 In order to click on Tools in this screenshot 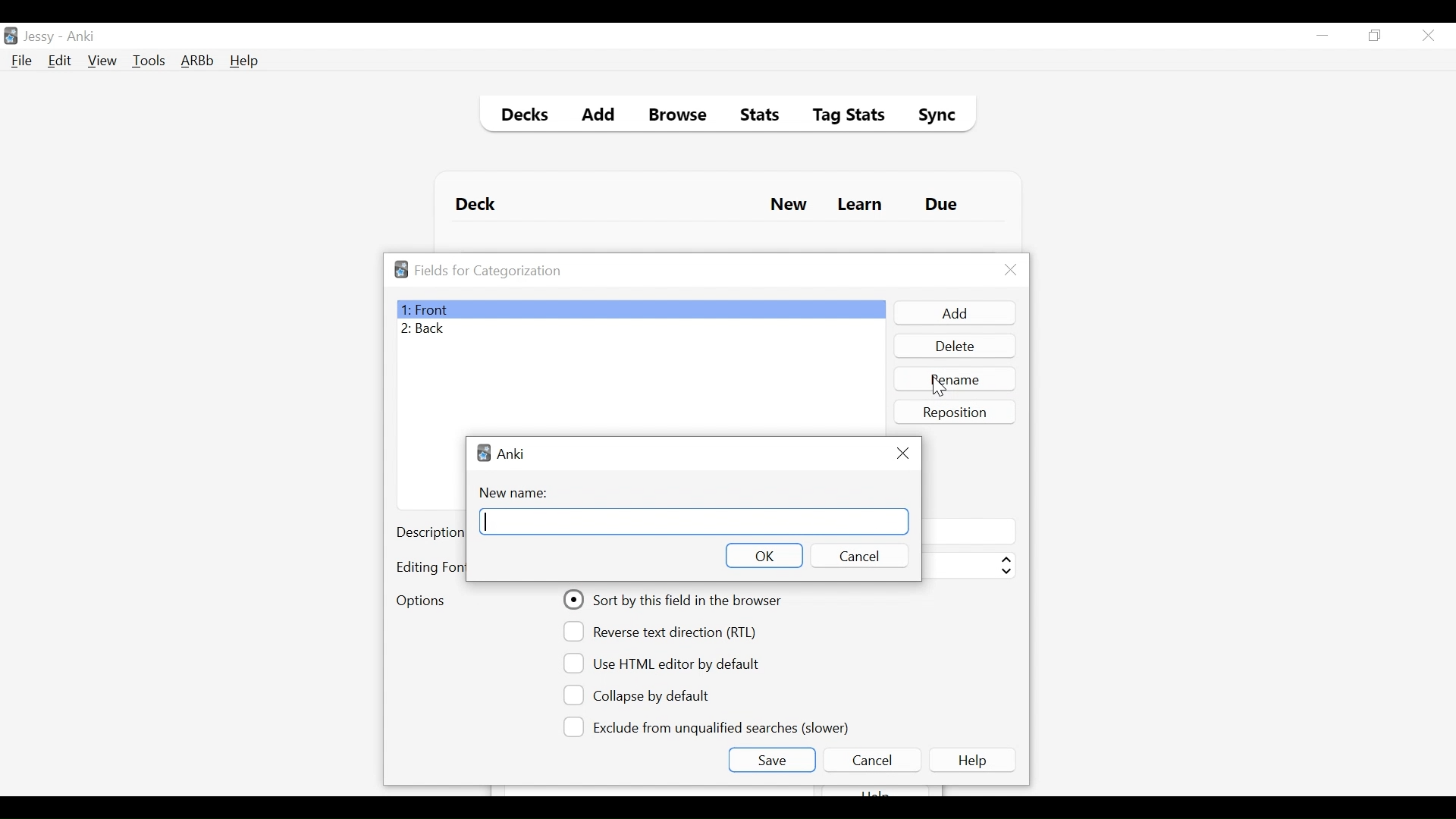, I will do `click(149, 60)`.